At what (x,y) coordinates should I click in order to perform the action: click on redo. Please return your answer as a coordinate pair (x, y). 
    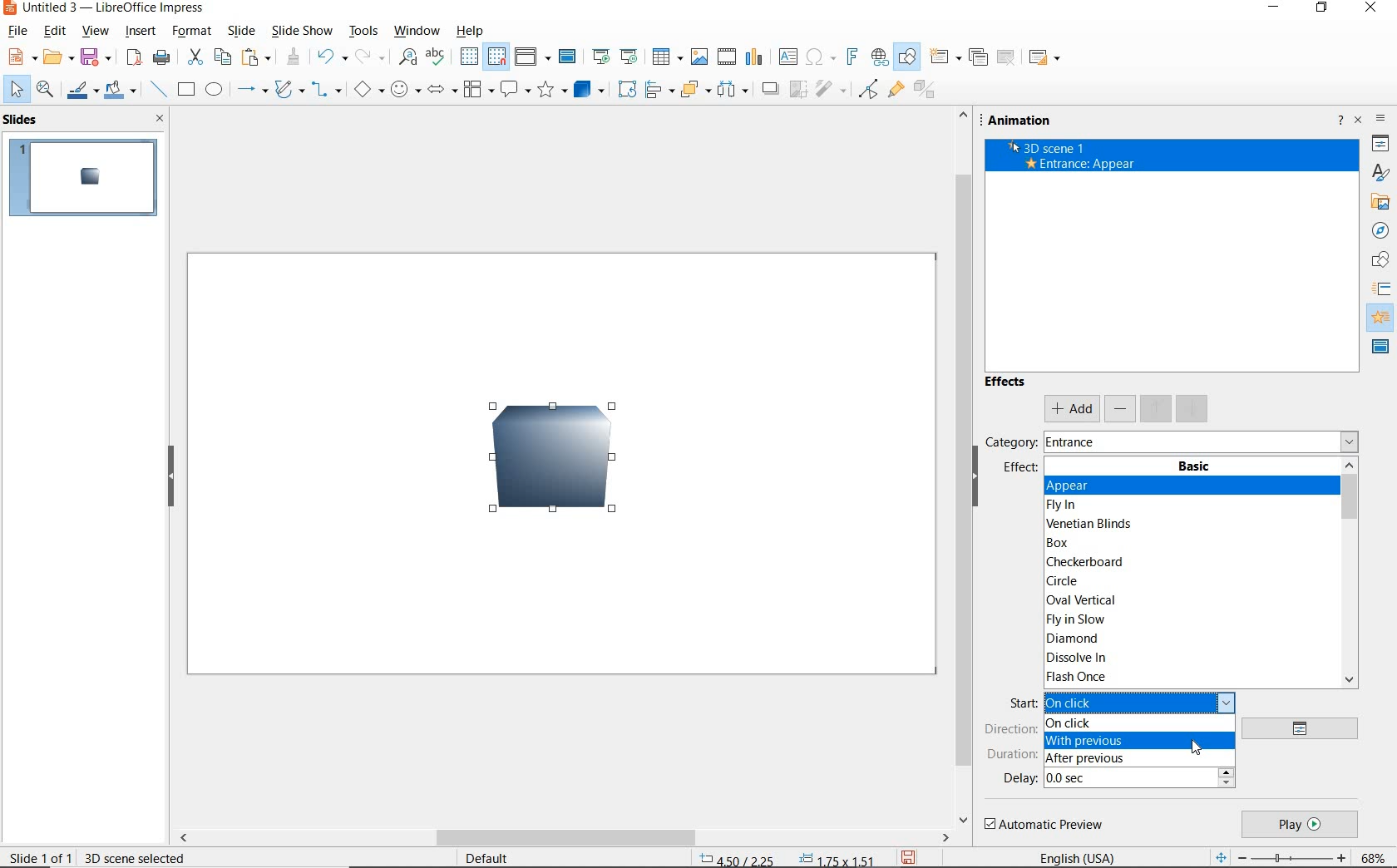
    Looking at the image, I should click on (368, 57).